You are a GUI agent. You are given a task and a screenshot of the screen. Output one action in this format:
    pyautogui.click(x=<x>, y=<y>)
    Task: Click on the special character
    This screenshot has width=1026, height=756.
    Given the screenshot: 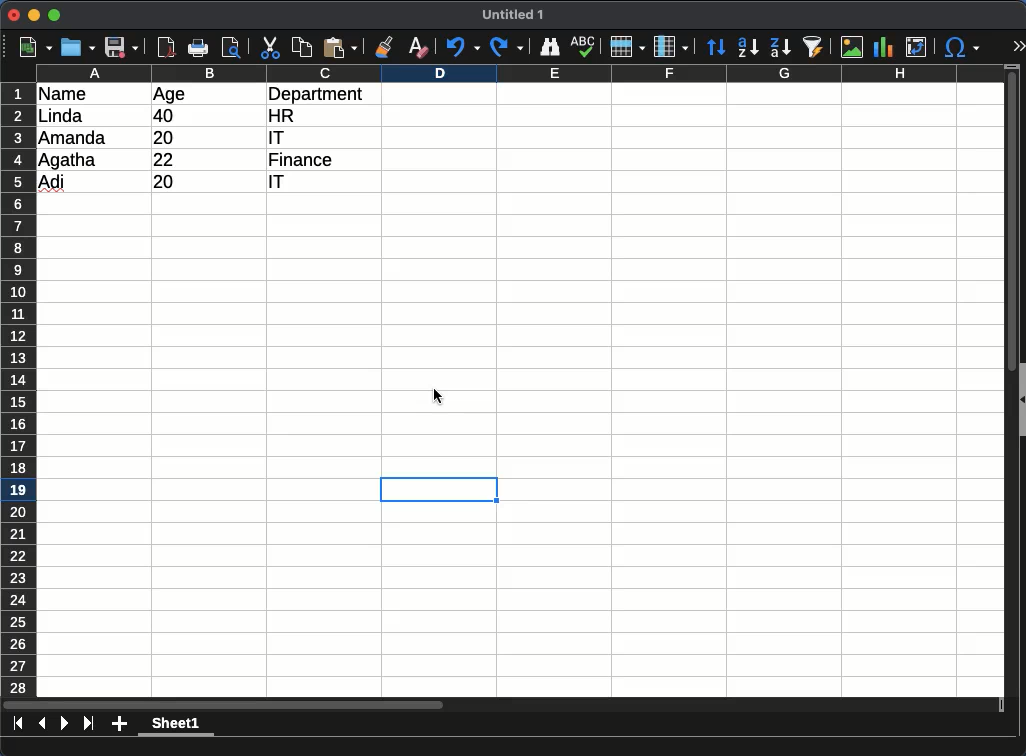 What is the action you would take?
    pyautogui.click(x=961, y=47)
    